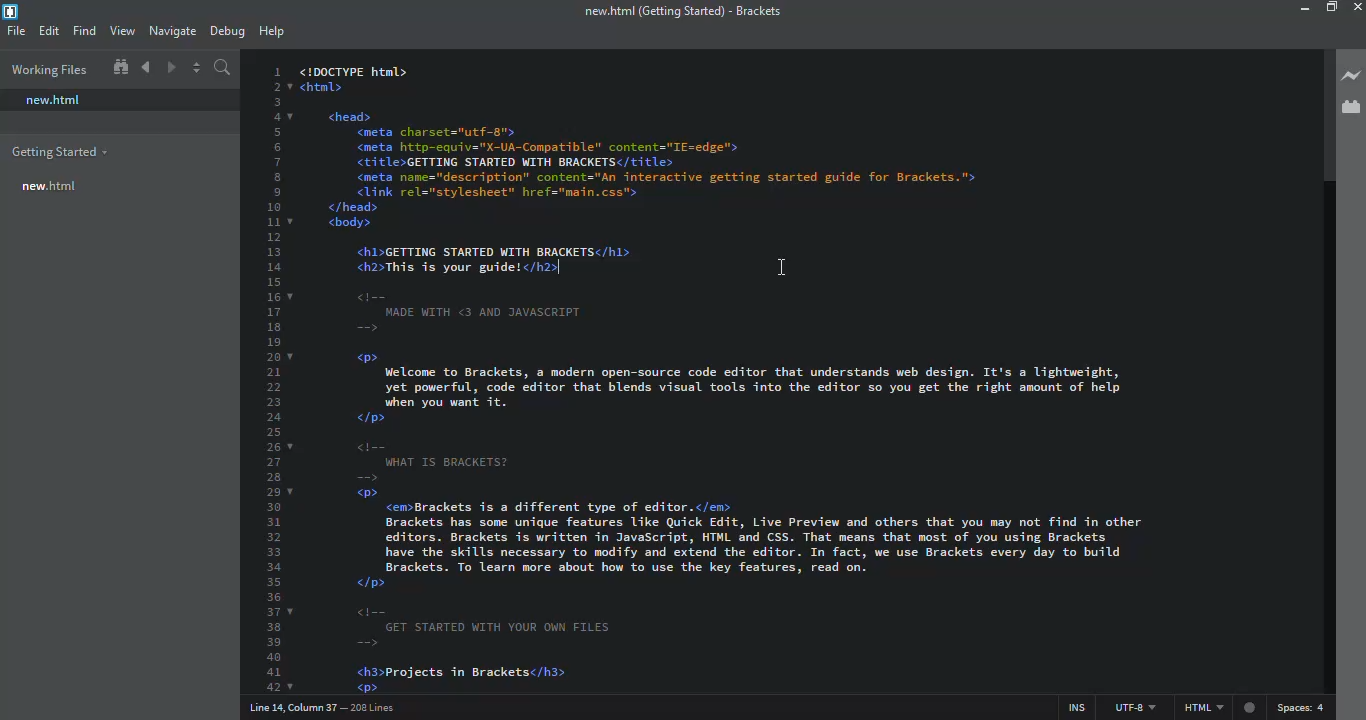 The image size is (1366, 720). What do you see at coordinates (1330, 8) in the screenshot?
I see `maximize` at bounding box center [1330, 8].